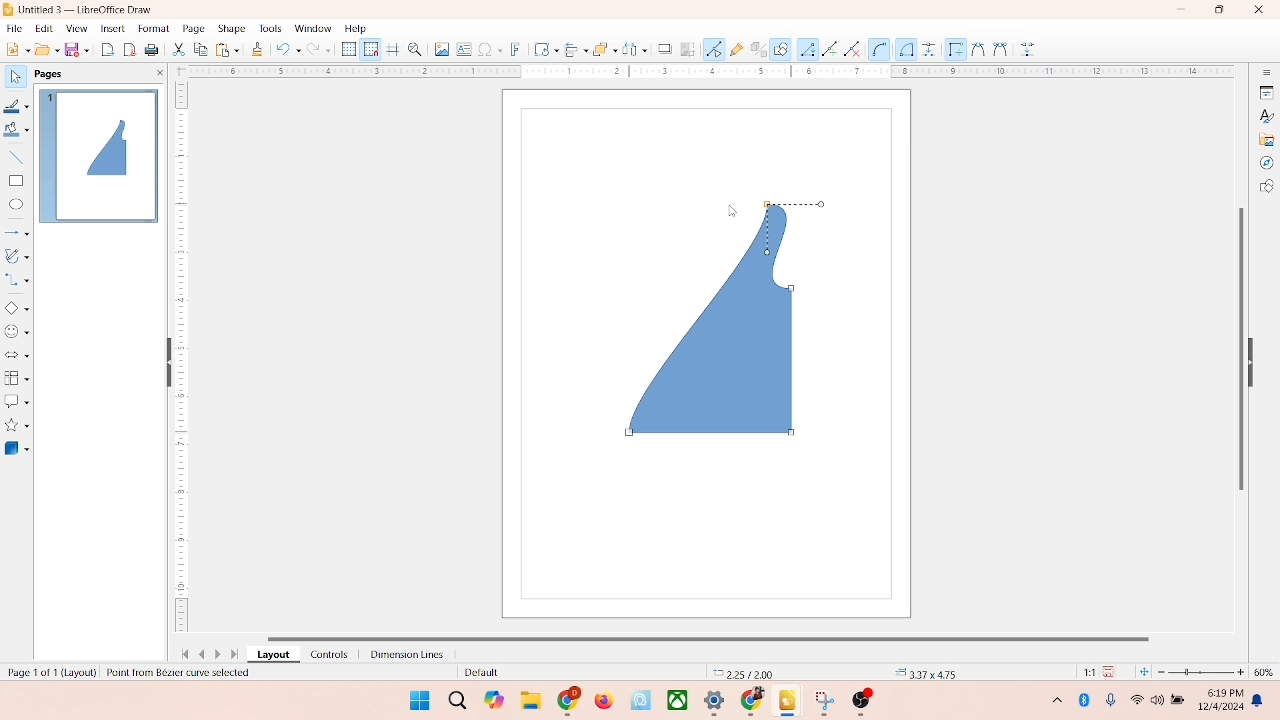 The height and width of the screenshot is (720, 1280). I want to click on battery, so click(1180, 701).